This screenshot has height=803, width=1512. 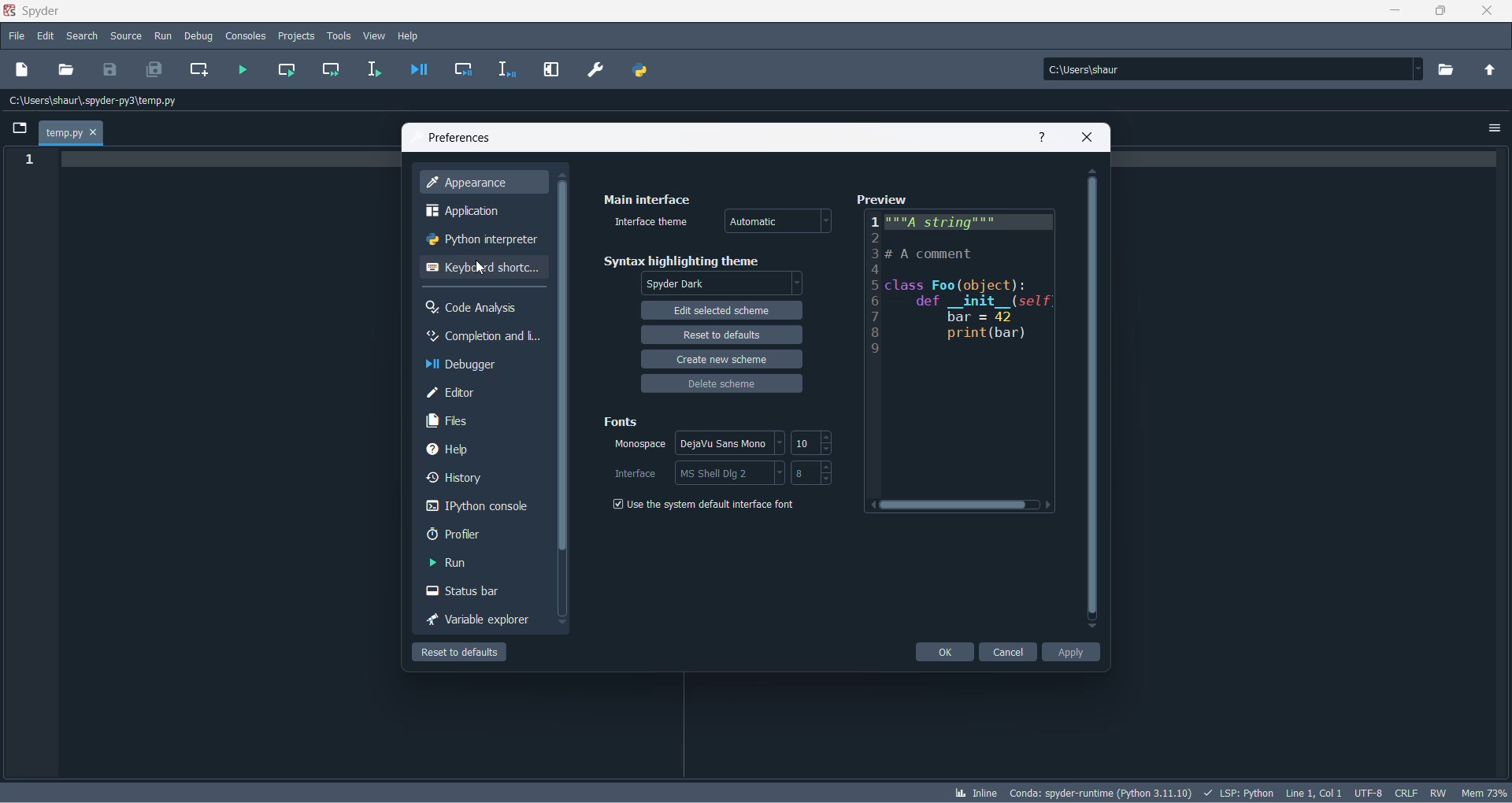 I want to click on preview code, so click(x=968, y=352).